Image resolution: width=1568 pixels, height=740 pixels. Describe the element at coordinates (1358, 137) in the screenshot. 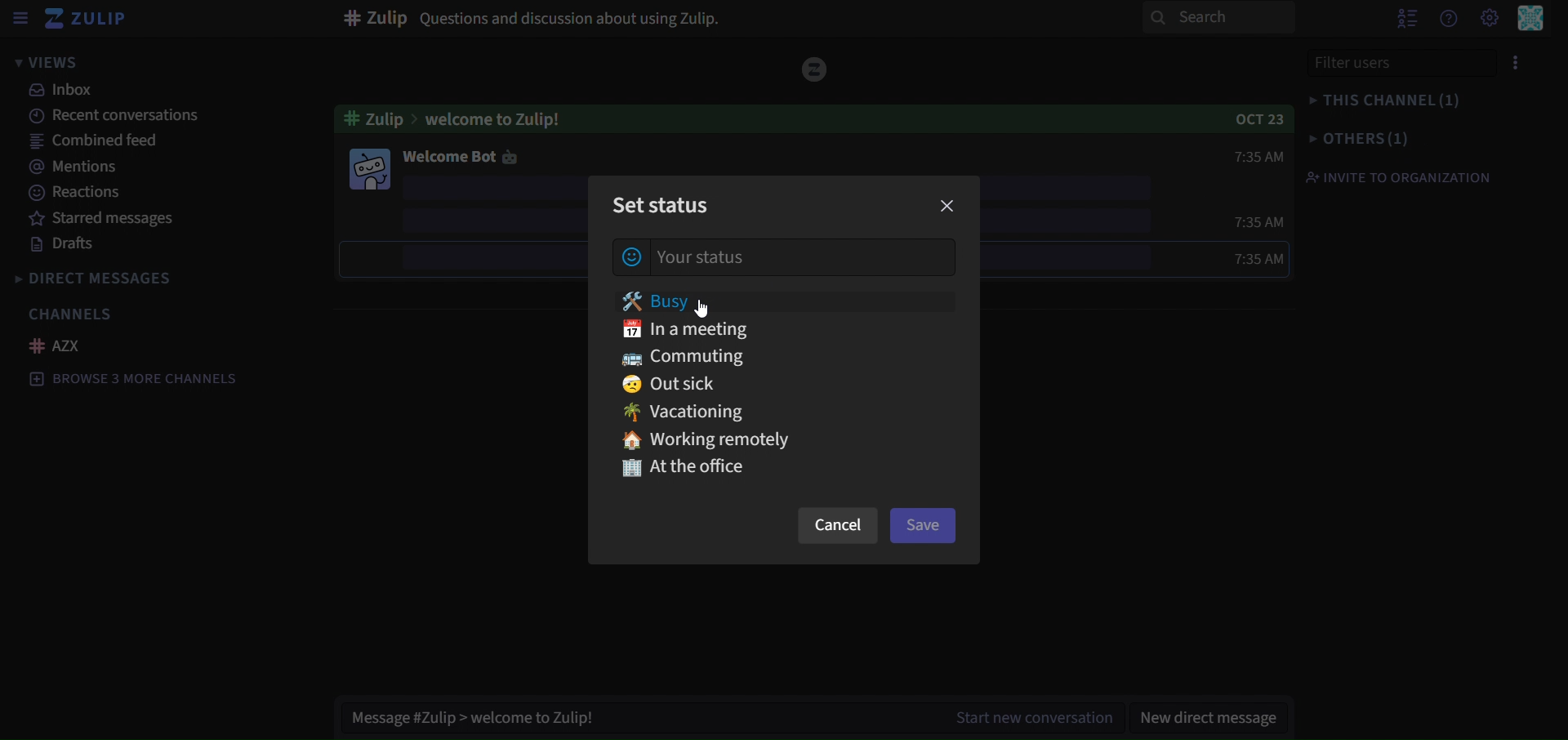

I see `others` at that location.